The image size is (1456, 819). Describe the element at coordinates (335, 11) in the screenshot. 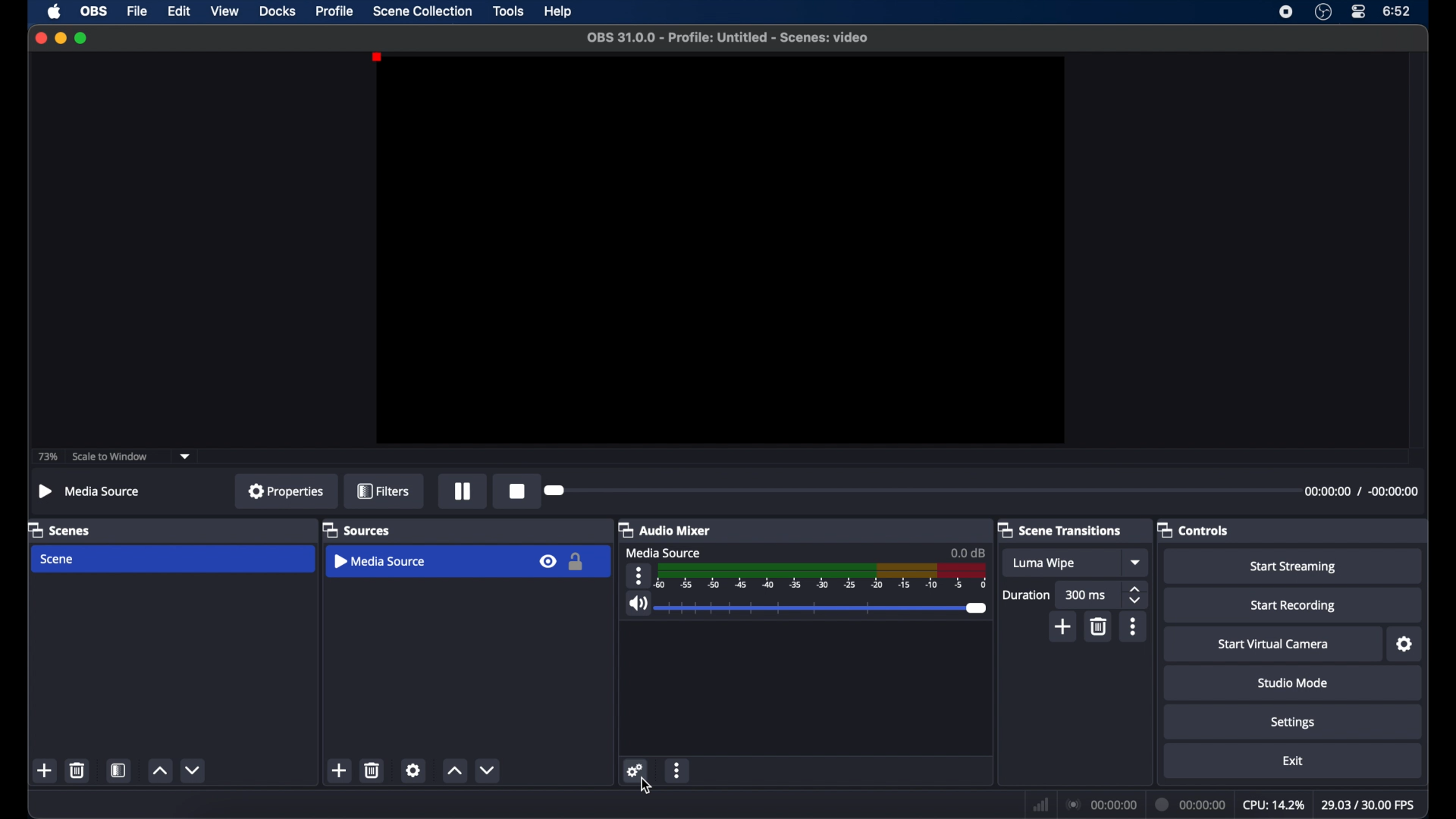

I see `profile` at that location.